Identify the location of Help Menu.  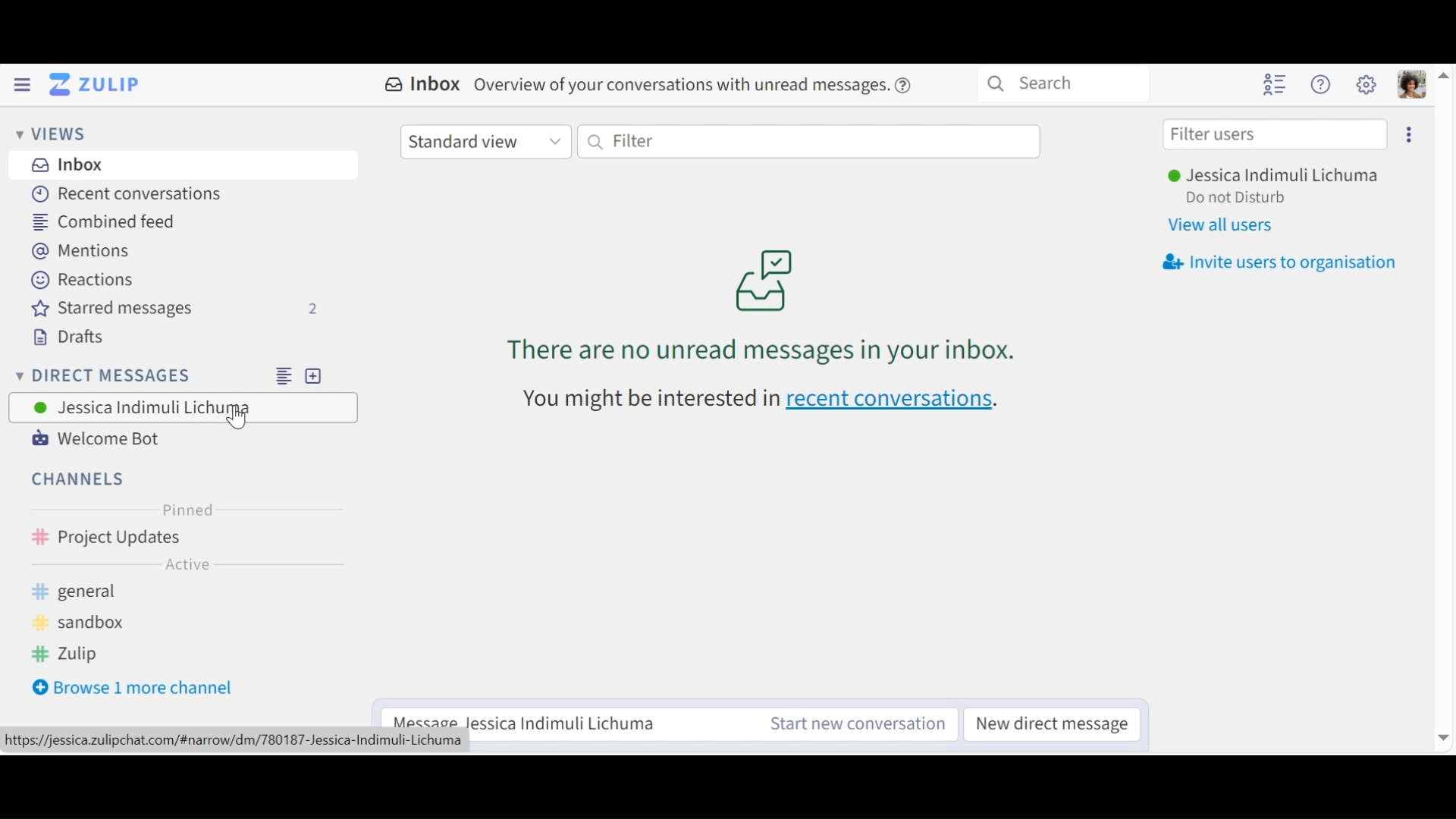
(1321, 83).